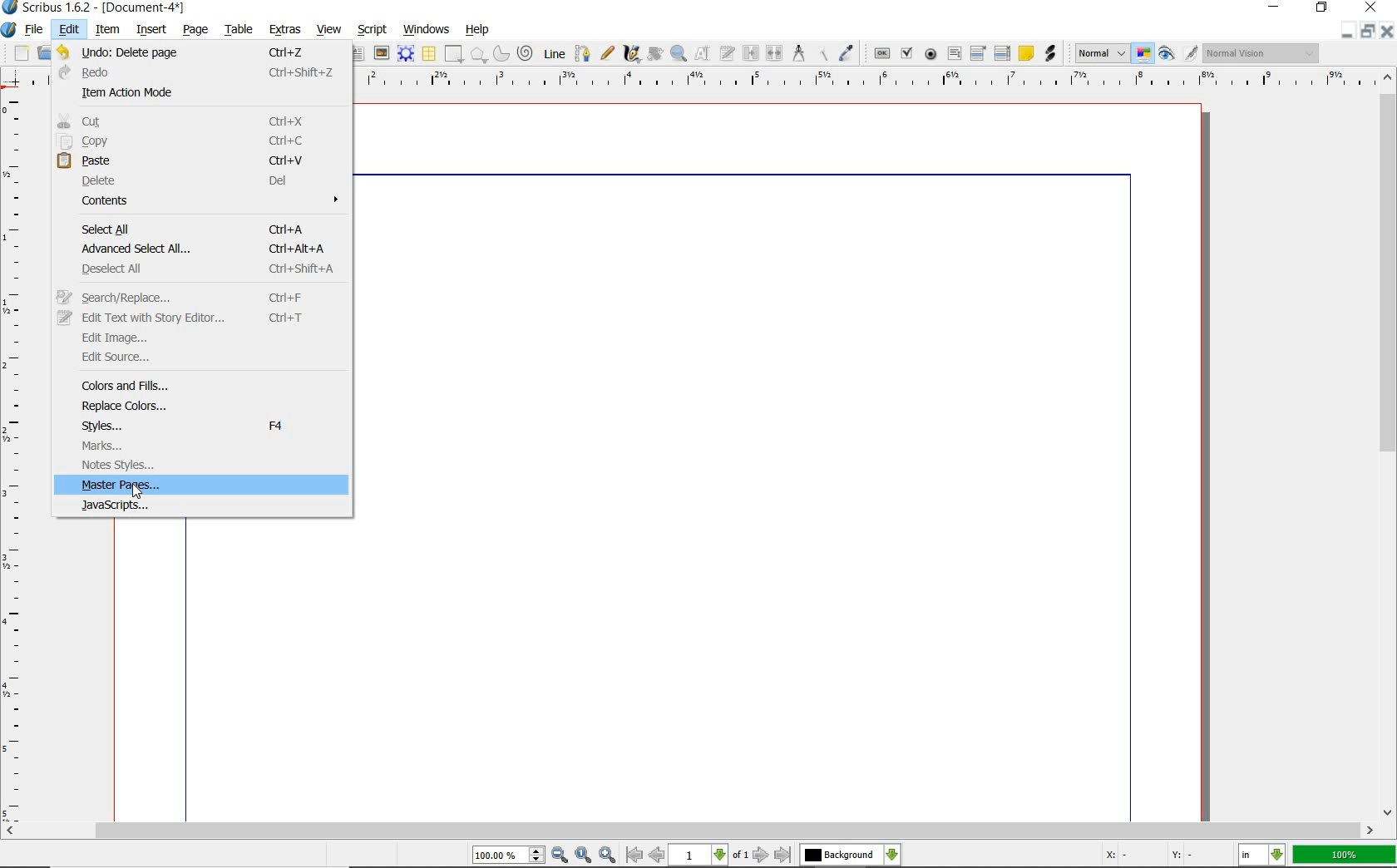 The width and height of the screenshot is (1397, 868). Describe the element at coordinates (704, 55) in the screenshot. I see `edit contents of frame` at that location.